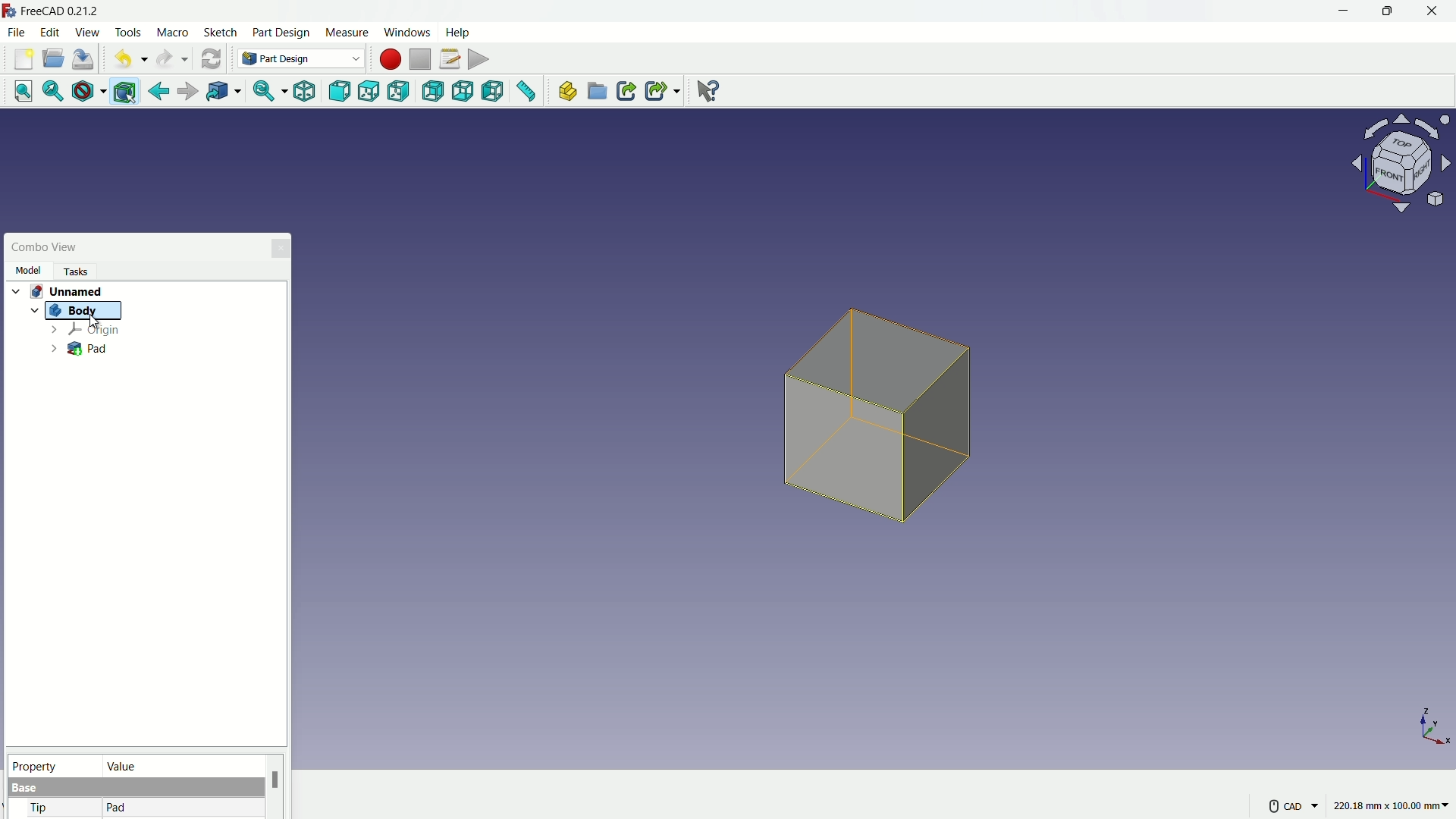  What do you see at coordinates (127, 93) in the screenshot?
I see `bounding box` at bounding box center [127, 93].